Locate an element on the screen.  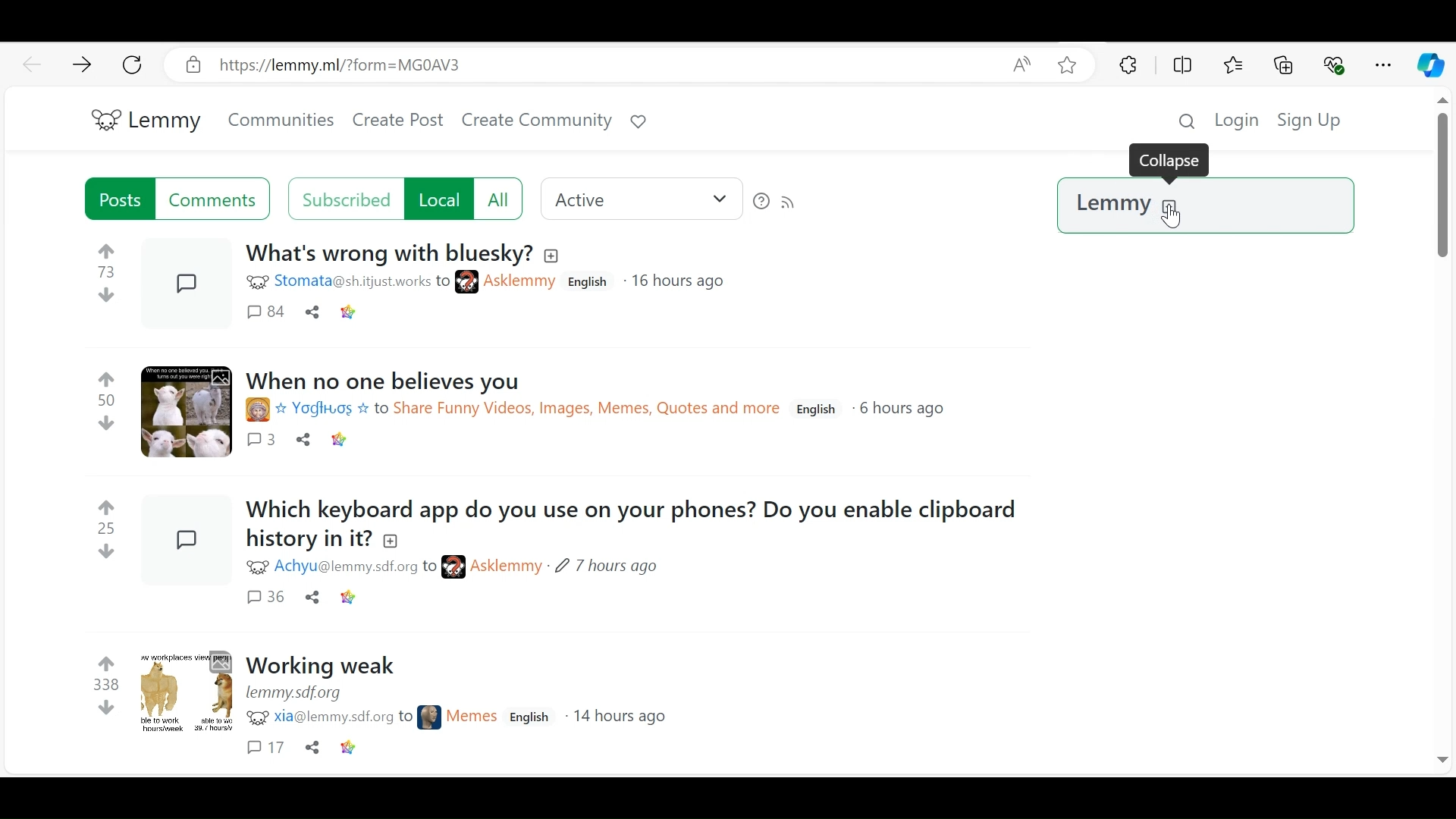
language is located at coordinates (531, 717).